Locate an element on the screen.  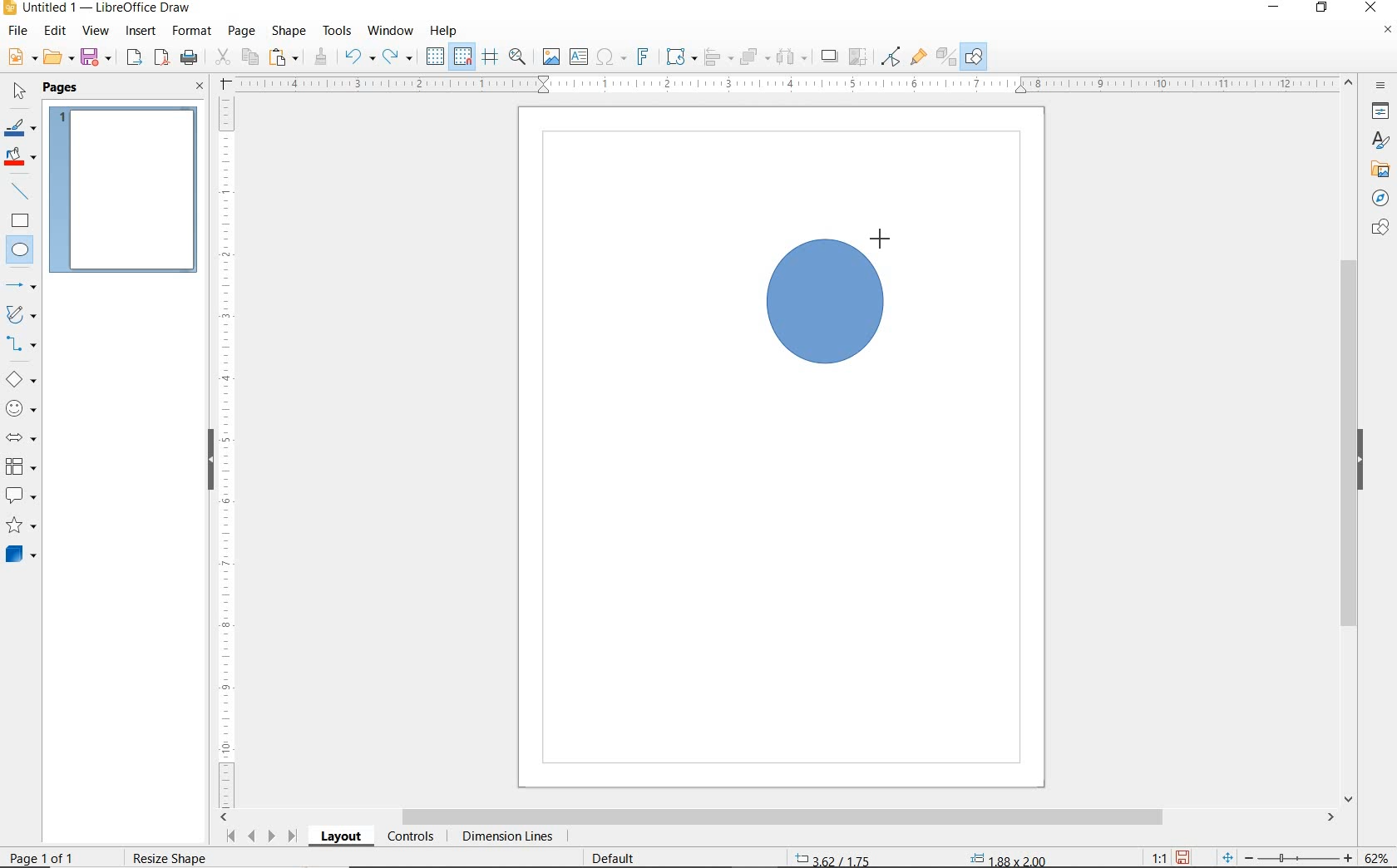
HELP is located at coordinates (444, 31).